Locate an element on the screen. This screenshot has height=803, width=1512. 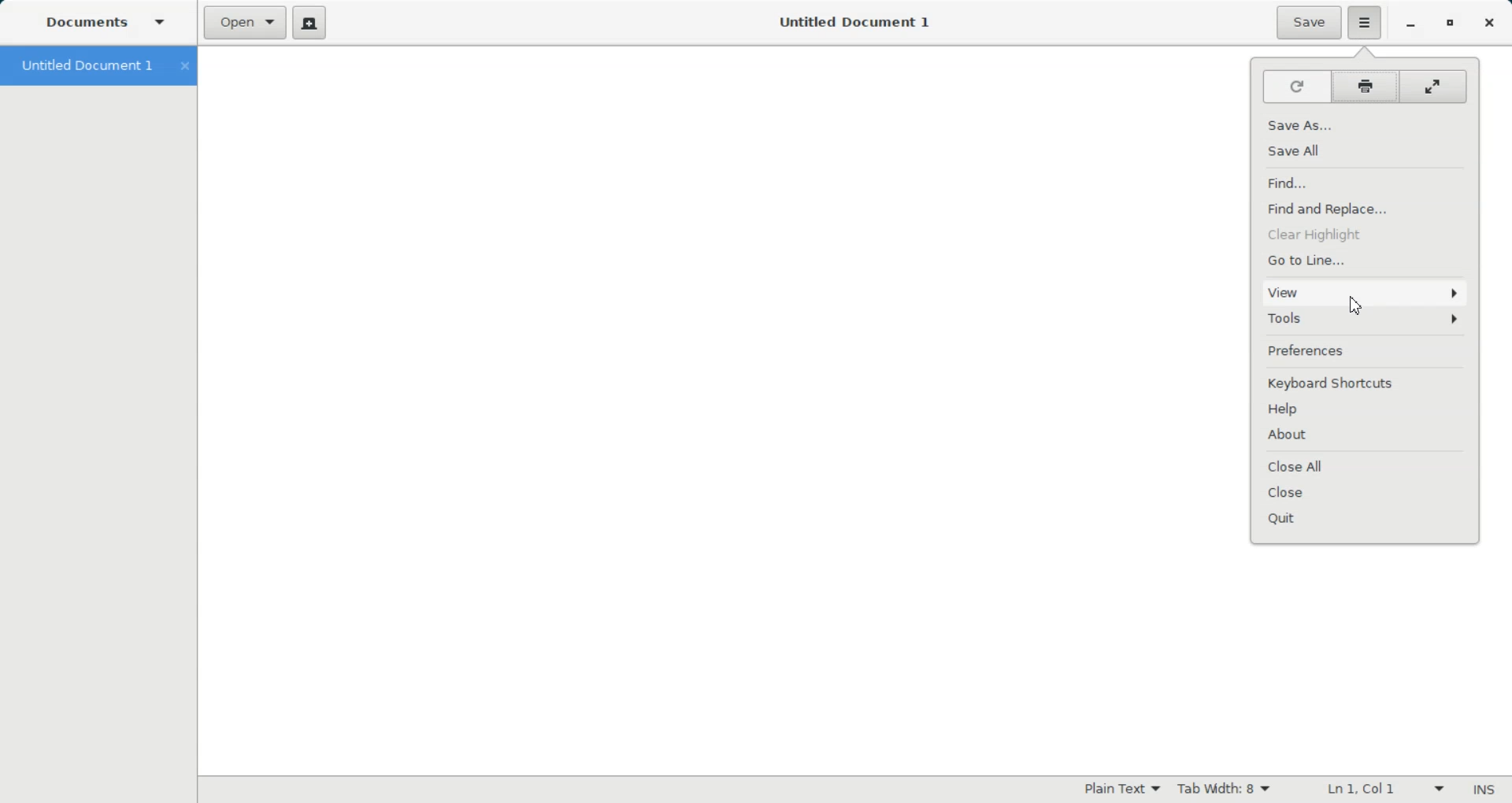
Untitled Document 1 tab is located at coordinates (83, 65).